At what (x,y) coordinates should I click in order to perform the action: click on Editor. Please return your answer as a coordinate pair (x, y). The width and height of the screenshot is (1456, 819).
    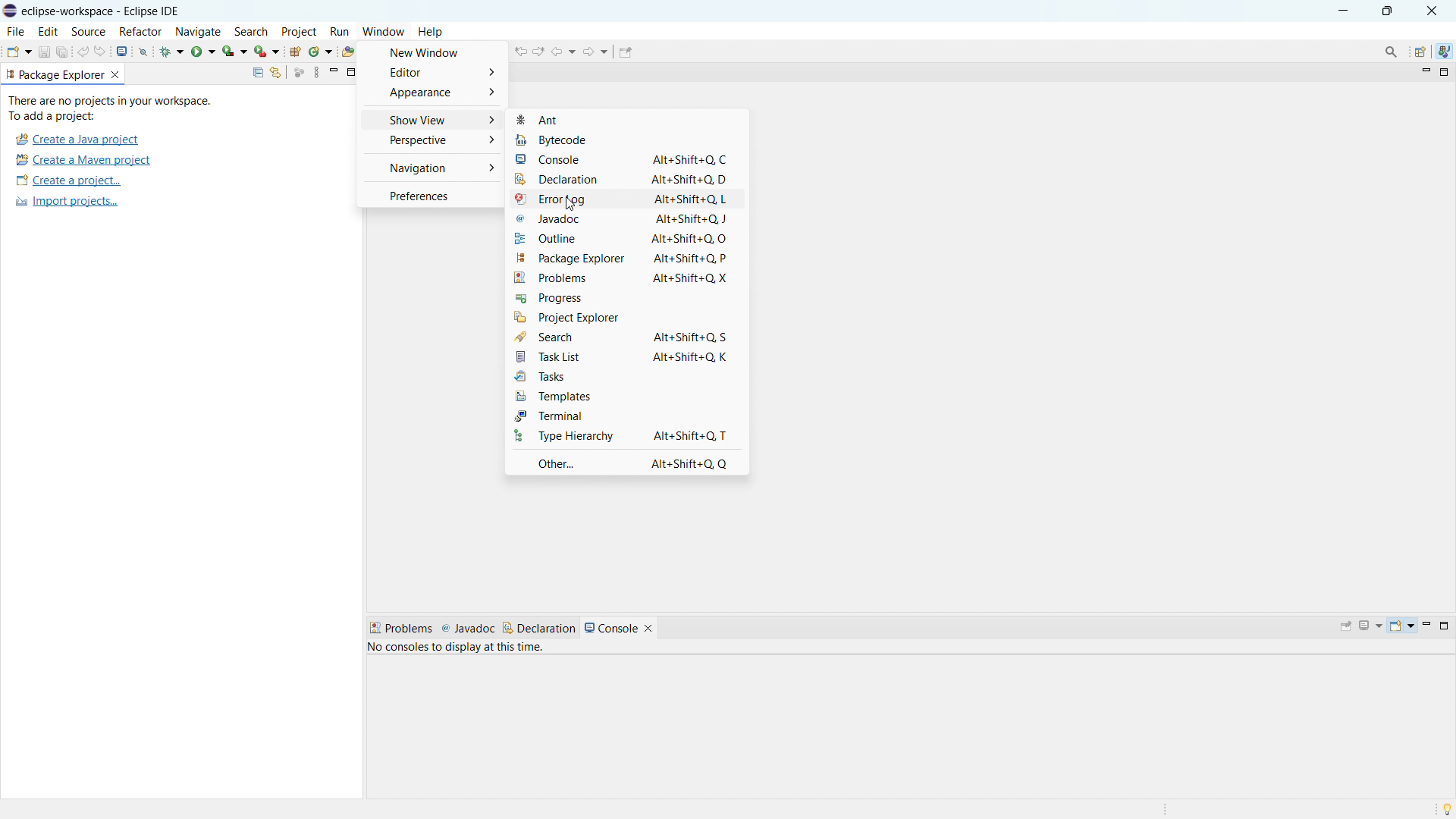
    Looking at the image, I should click on (441, 71).